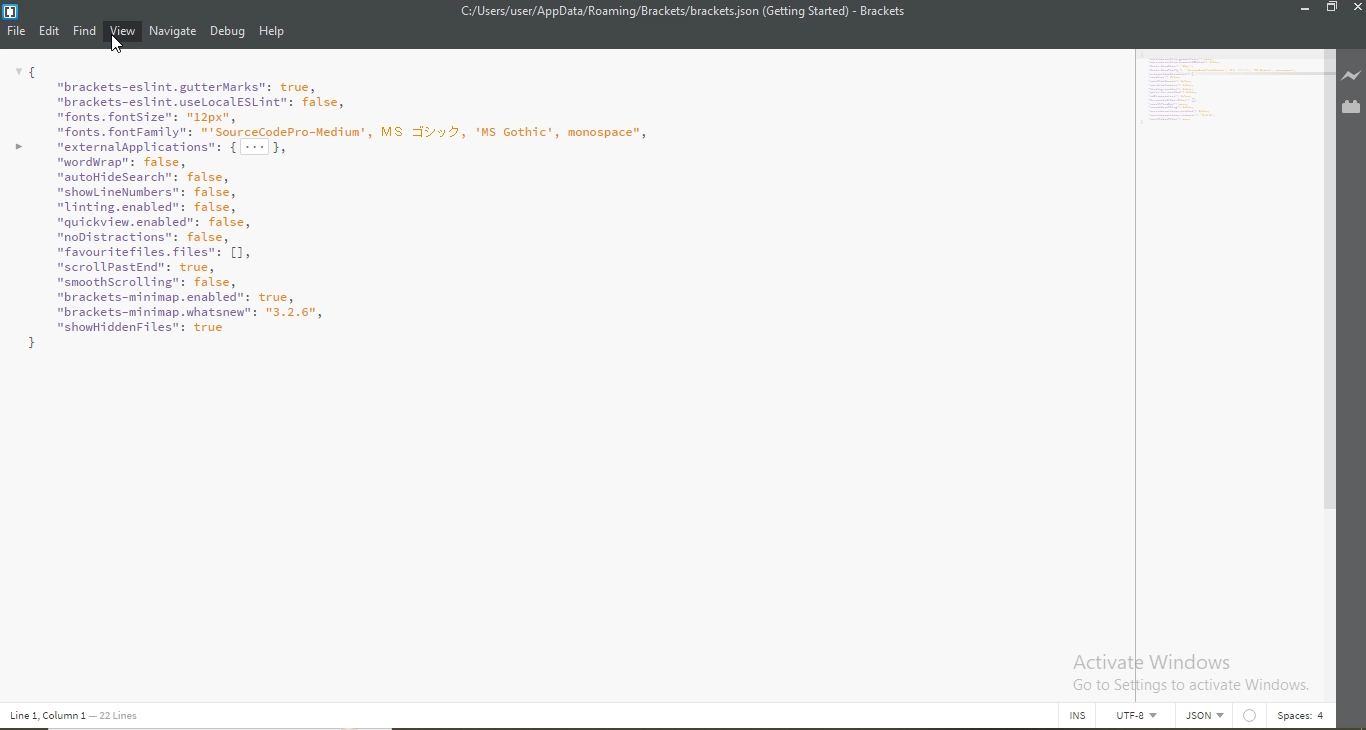 Image resolution: width=1366 pixels, height=730 pixels. Describe the element at coordinates (1330, 325) in the screenshot. I see `scroll bar` at that location.